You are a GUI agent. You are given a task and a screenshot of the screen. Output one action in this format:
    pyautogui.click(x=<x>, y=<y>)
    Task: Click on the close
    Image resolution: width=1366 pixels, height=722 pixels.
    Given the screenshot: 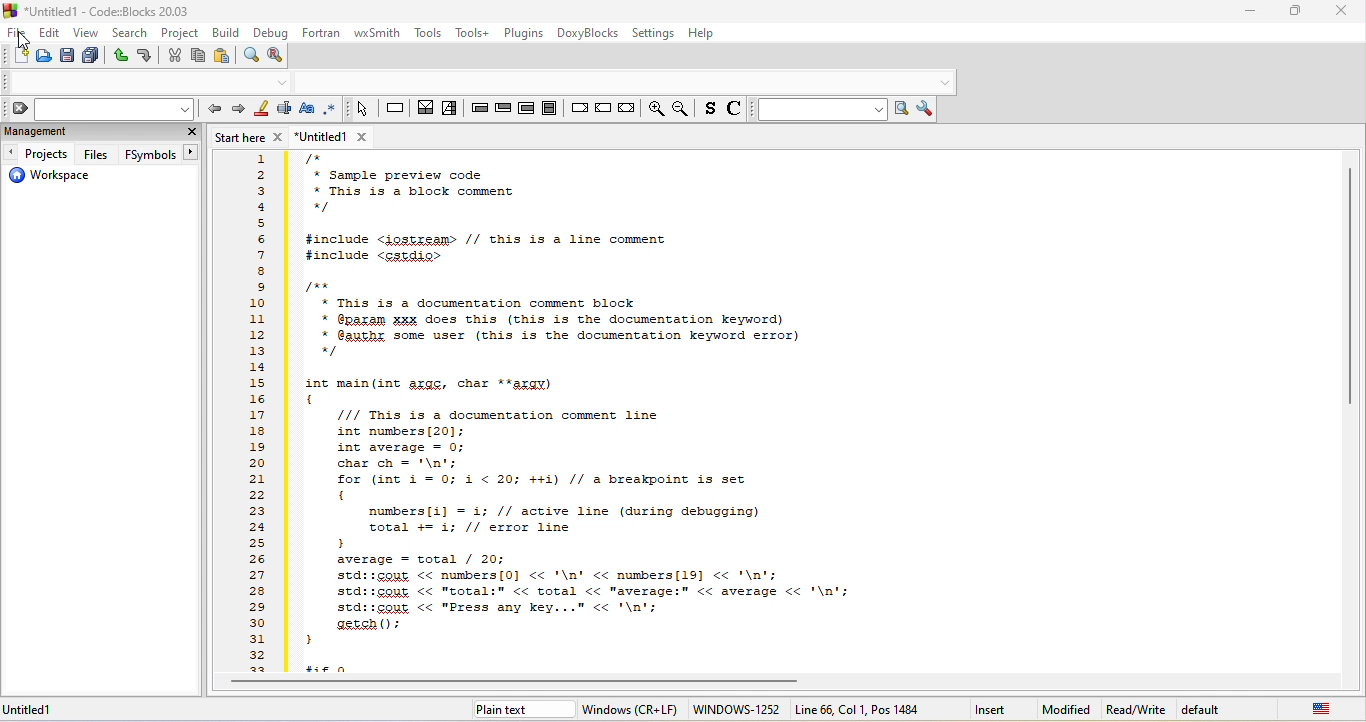 What is the action you would take?
    pyautogui.click(x=188, y=131)
    